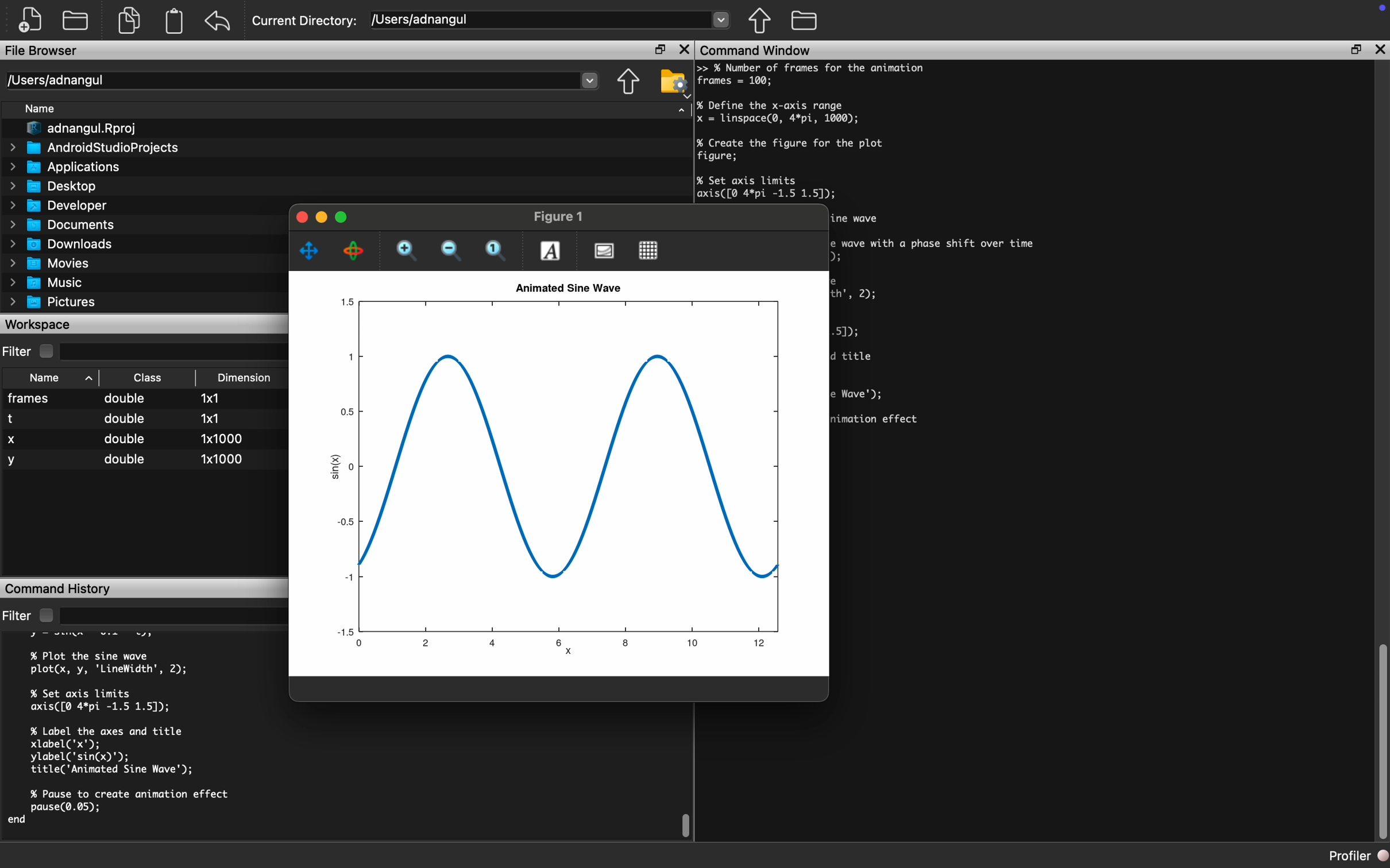  Describe the element at coordinates (16, 617) in the screenshot. I see `Filter` at that location.